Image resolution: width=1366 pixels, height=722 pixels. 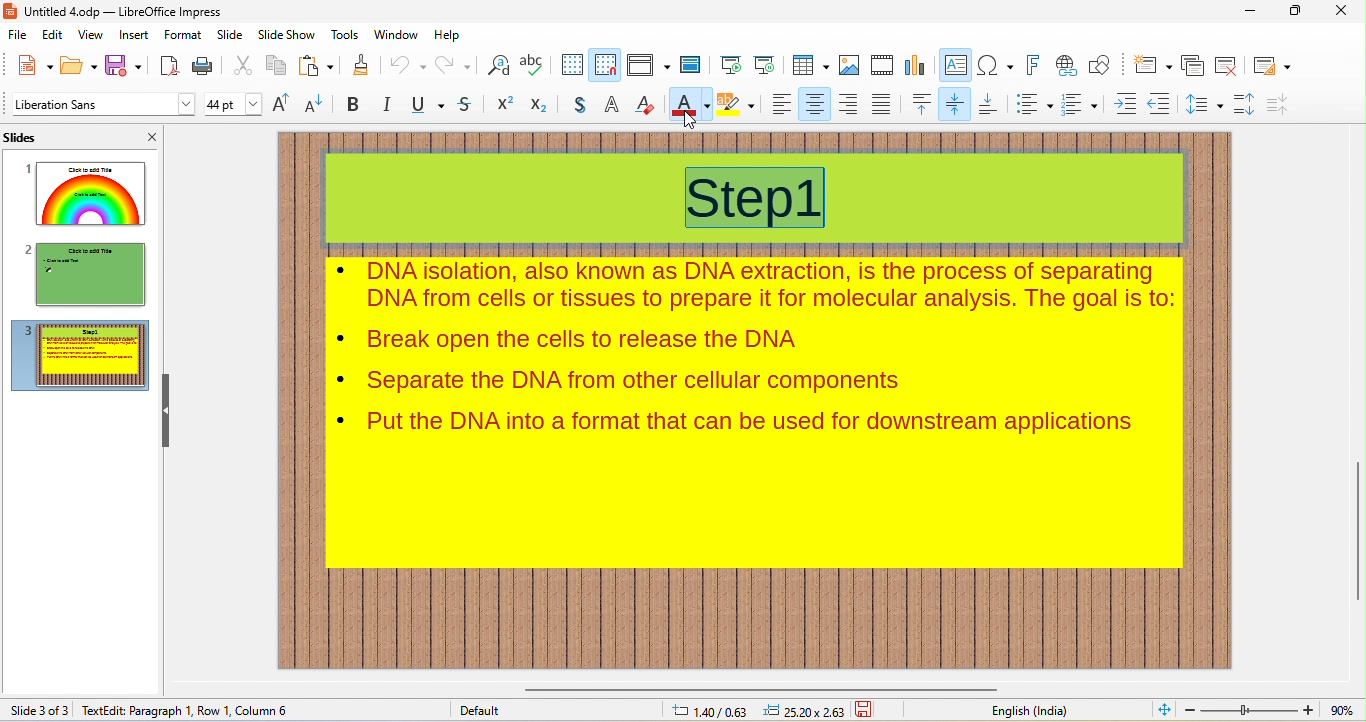 I want to click on undo, so click(x=405, y=65).